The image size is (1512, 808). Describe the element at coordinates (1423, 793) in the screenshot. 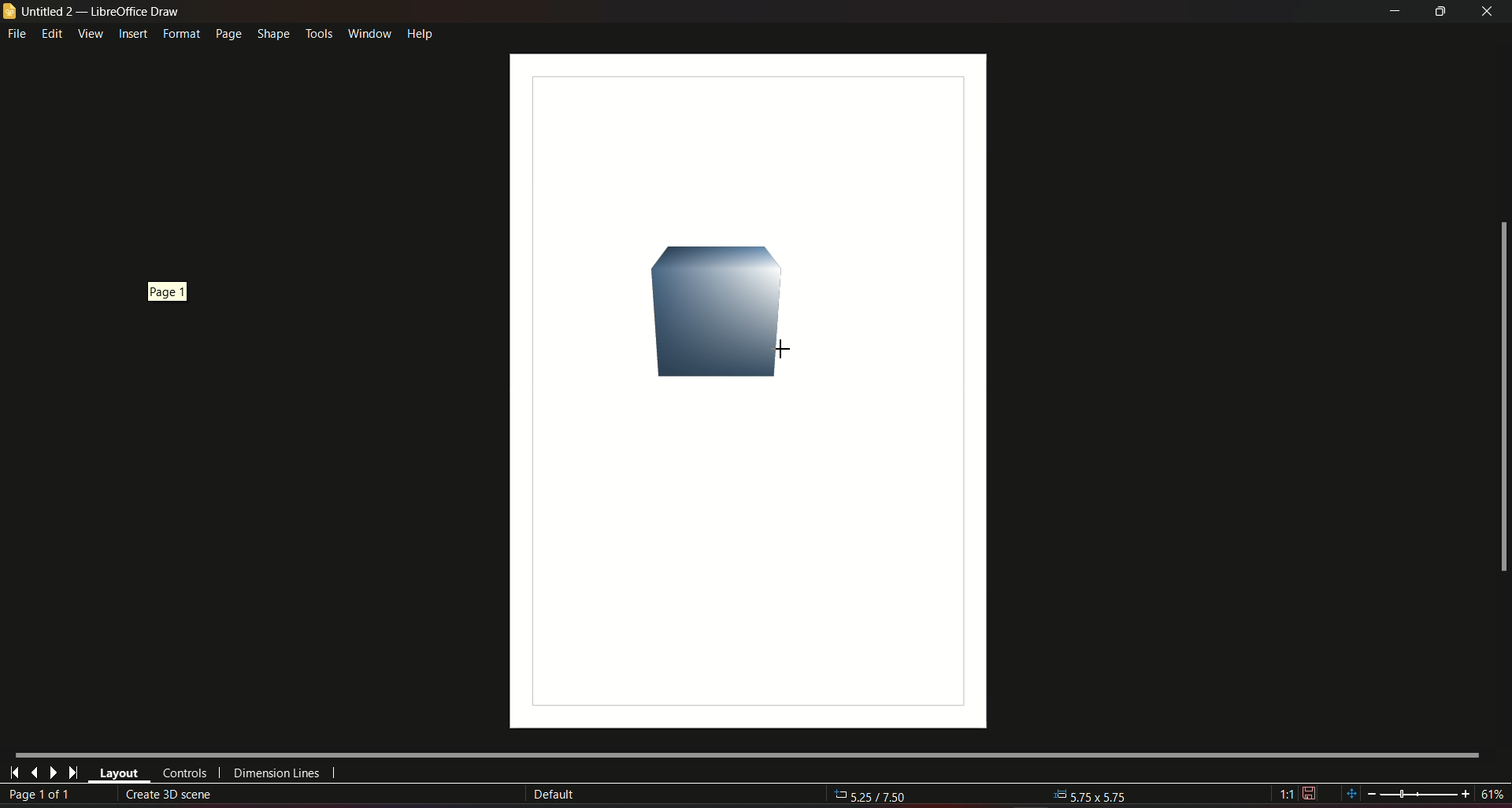

I see `zoom` at that location.